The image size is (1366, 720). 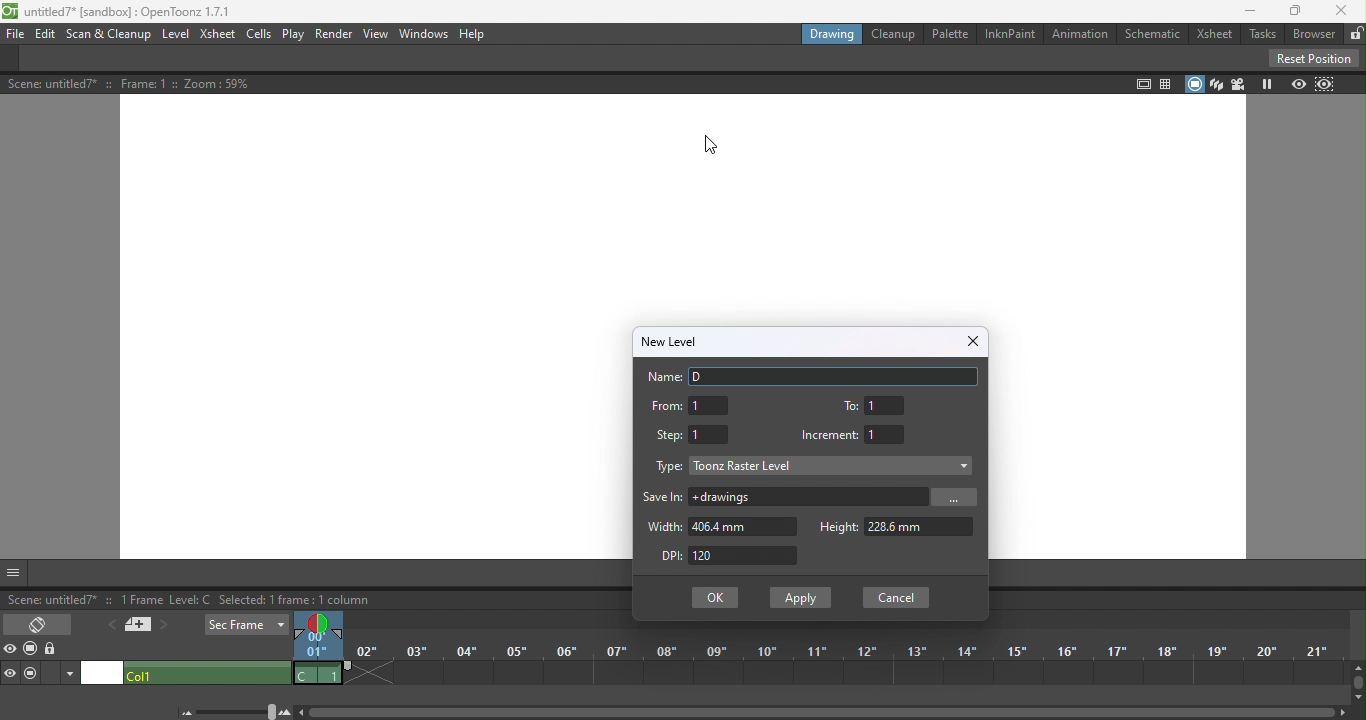 I want to click on Minimize, so click(x=1245, y=12).